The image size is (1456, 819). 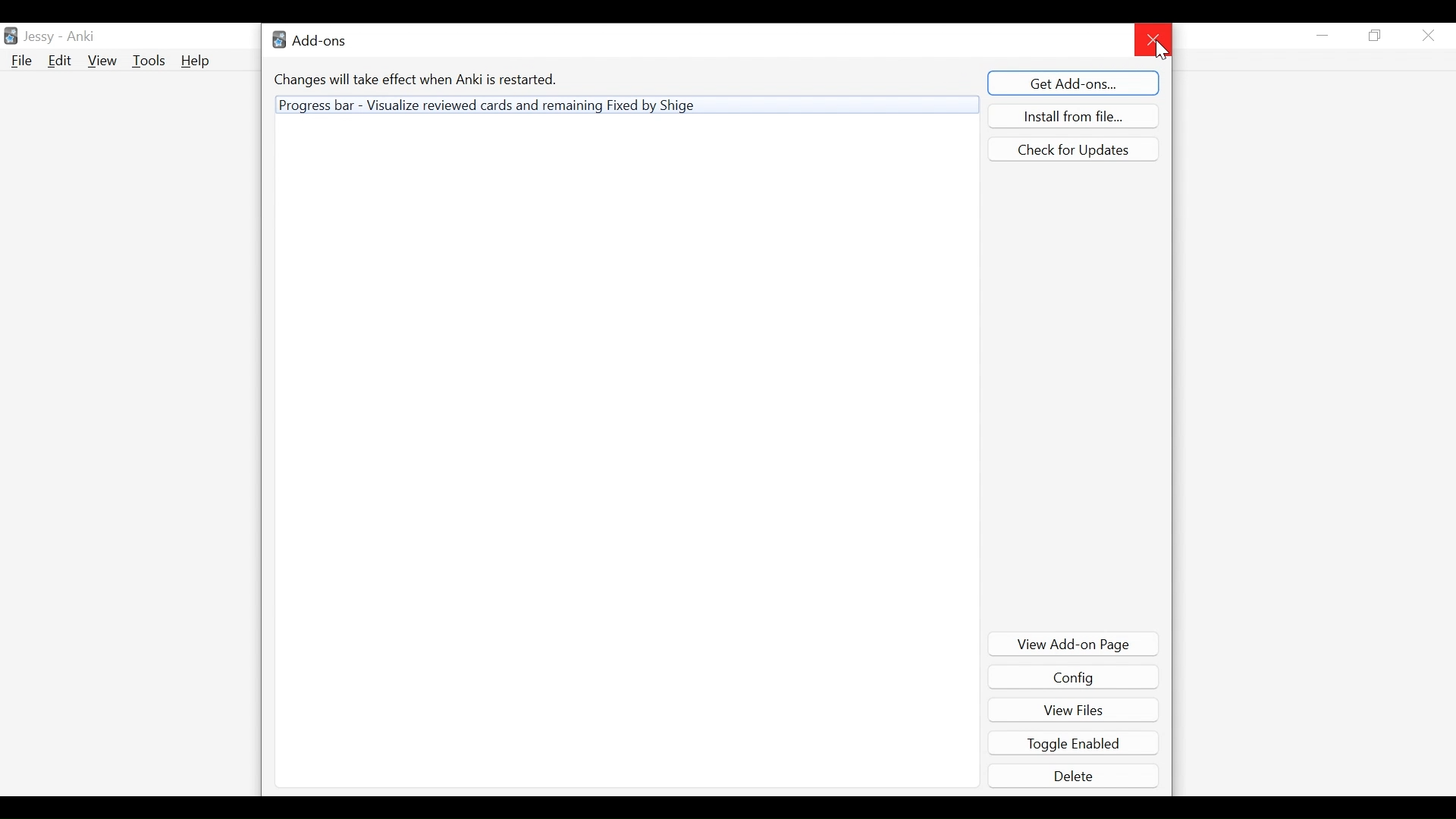 What do you see at coordinates (1073, 708) in the screenshot?
I see `View Files` at bounding box center [1073, 708].